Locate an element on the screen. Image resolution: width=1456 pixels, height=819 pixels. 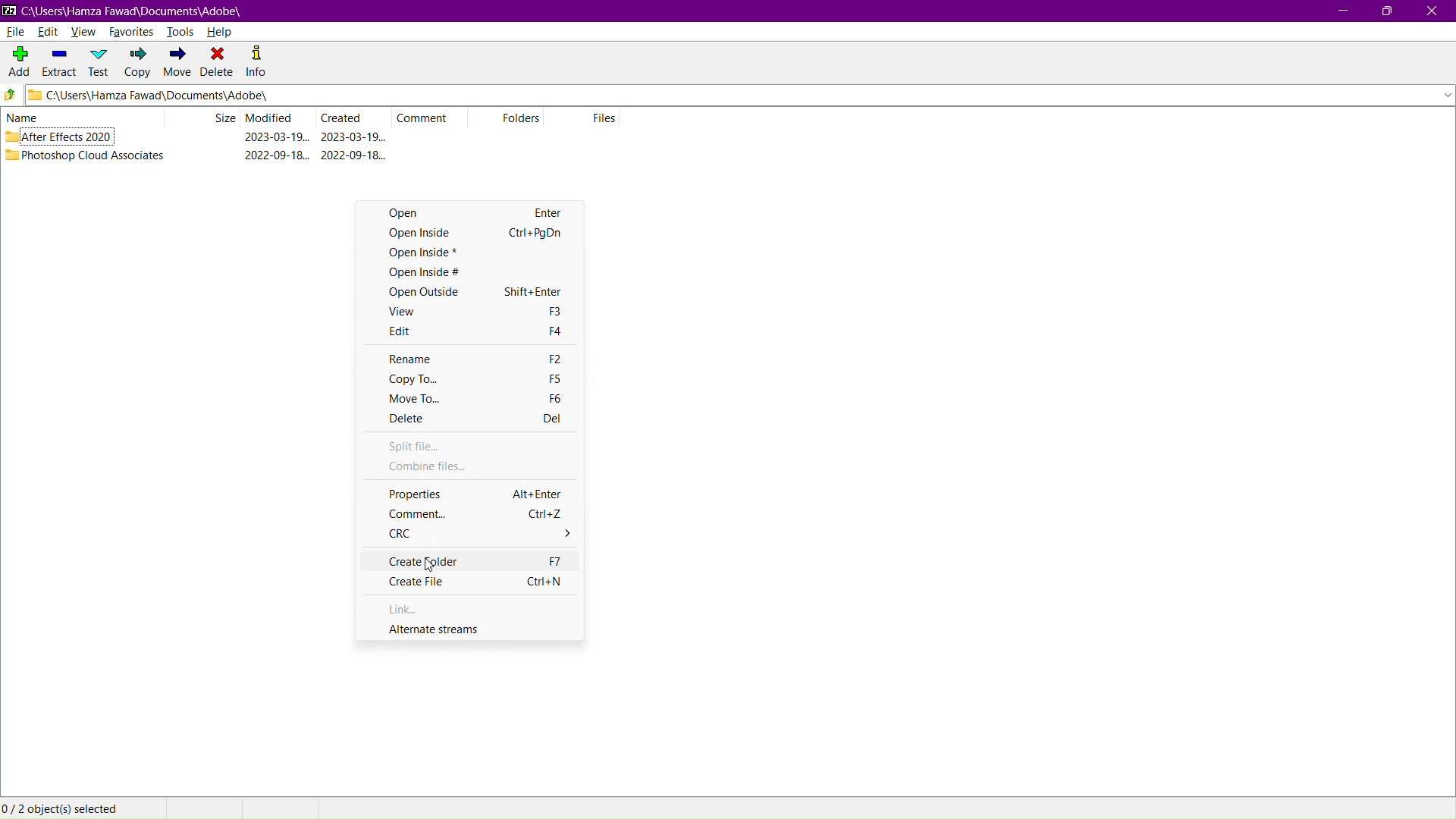
File is located at coordinates (15, 33).